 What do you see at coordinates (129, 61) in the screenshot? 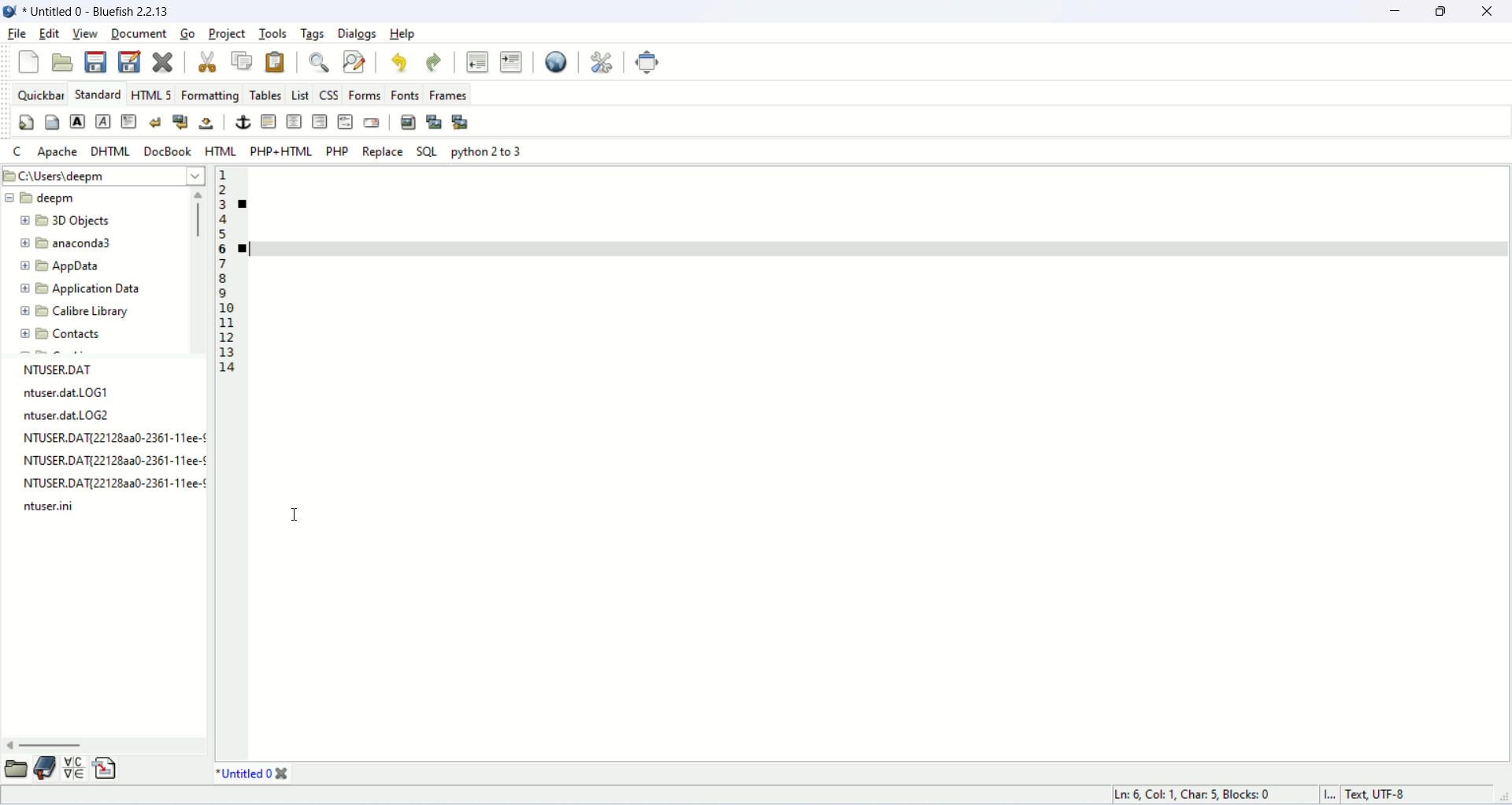
I see `save as` at bounding box center [129, 61].